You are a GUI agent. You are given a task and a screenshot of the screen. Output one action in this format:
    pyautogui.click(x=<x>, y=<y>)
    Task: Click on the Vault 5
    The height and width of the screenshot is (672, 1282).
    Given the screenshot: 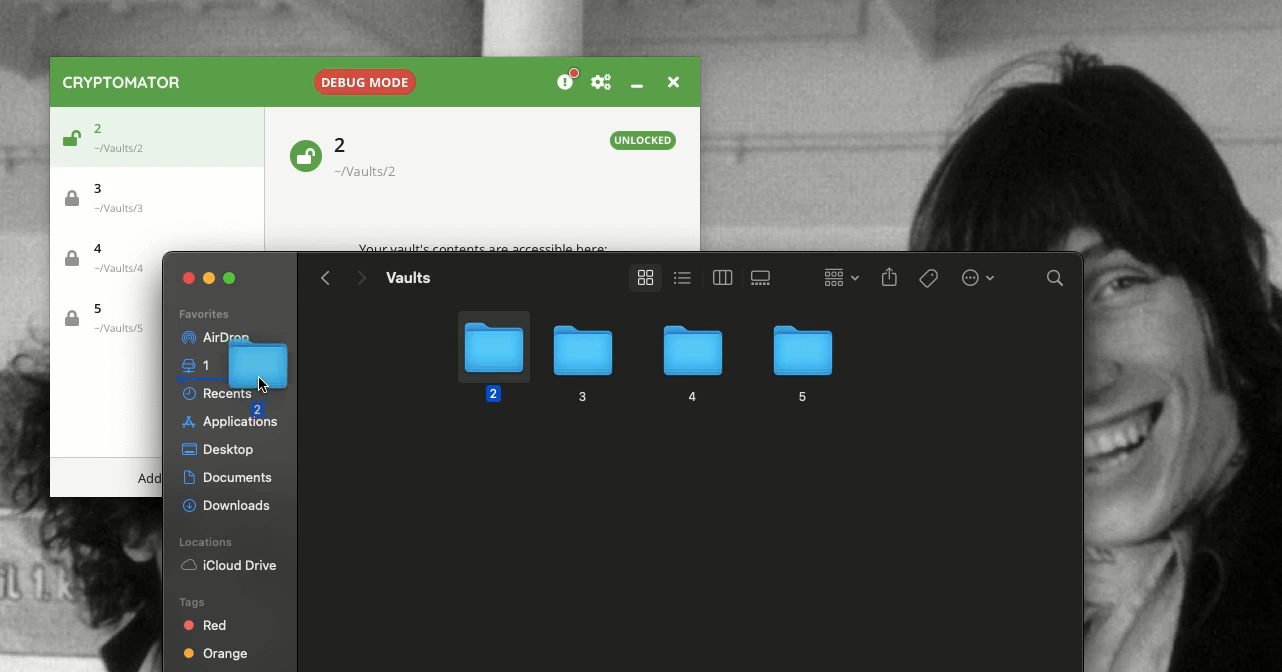 What is the action you would take?
    pyautogui.click(x=104, y=319)
    